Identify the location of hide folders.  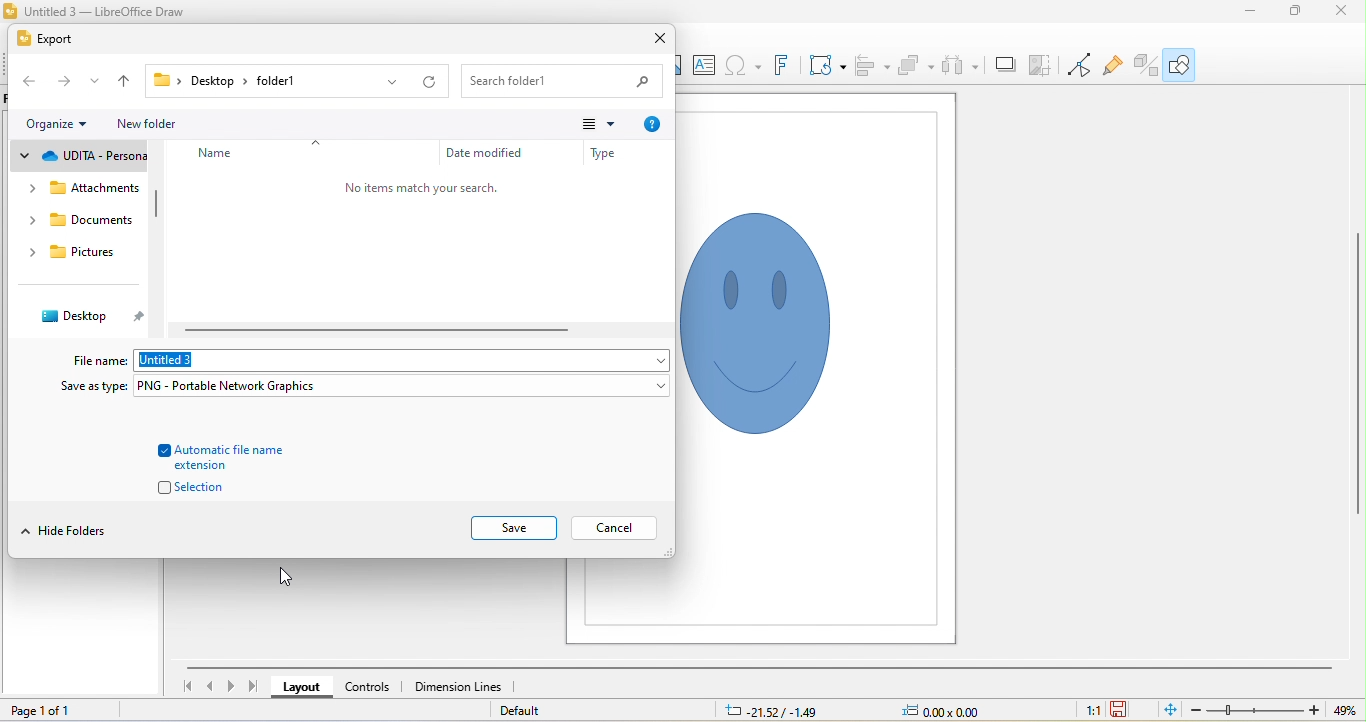
(84, 530).